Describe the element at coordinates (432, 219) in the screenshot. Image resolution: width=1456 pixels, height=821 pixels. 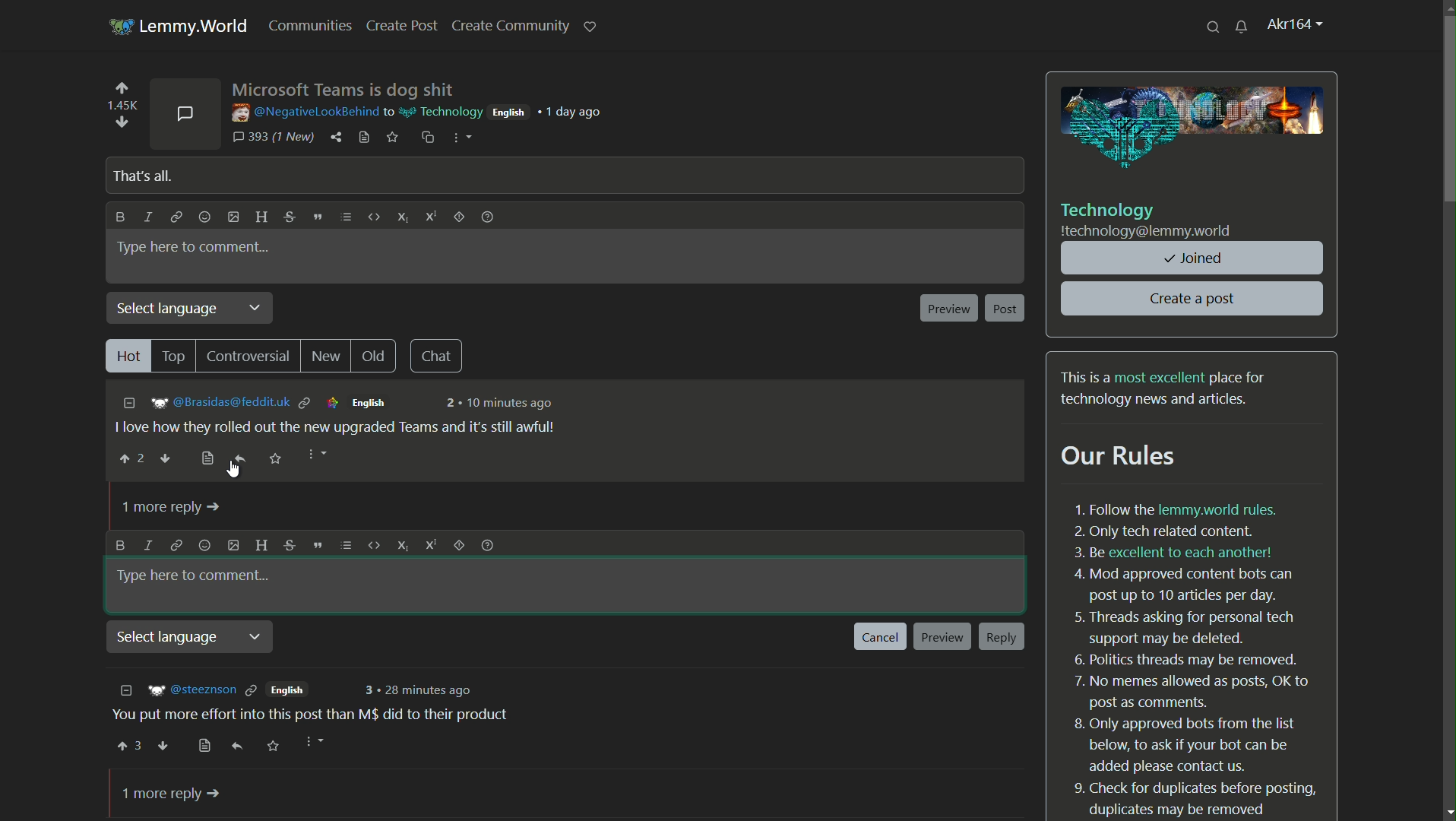
I see `superscript` at that location.